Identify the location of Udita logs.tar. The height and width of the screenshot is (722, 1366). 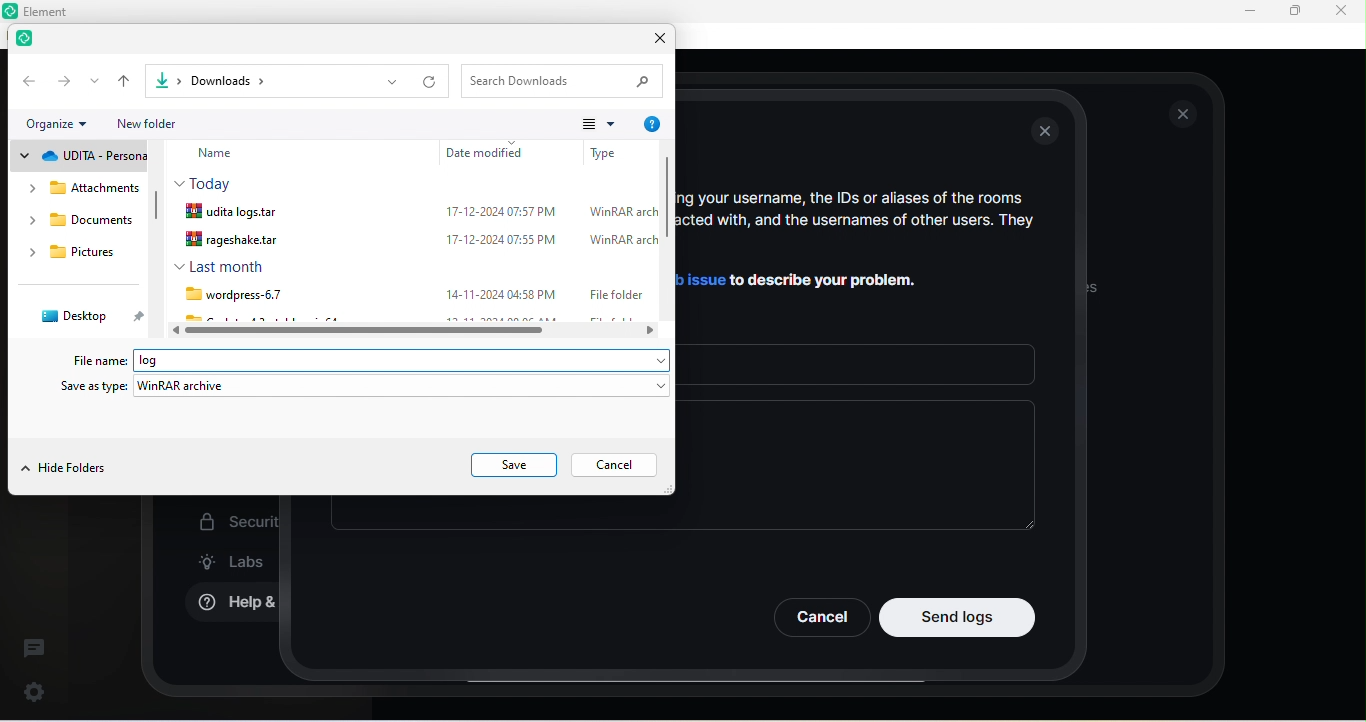
(238, 211).